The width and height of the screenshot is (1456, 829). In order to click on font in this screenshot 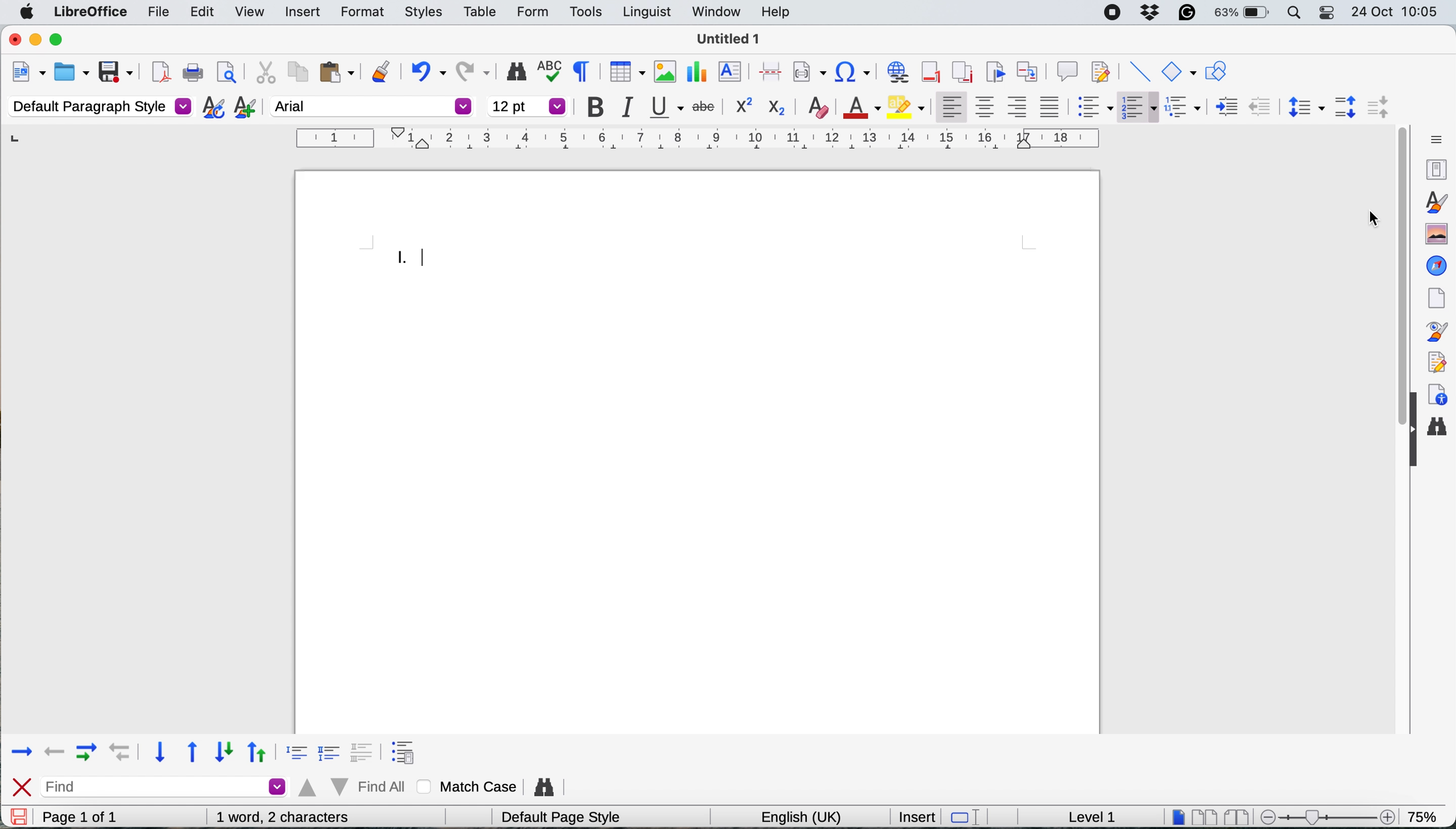, I will do `click(372, 106)`.